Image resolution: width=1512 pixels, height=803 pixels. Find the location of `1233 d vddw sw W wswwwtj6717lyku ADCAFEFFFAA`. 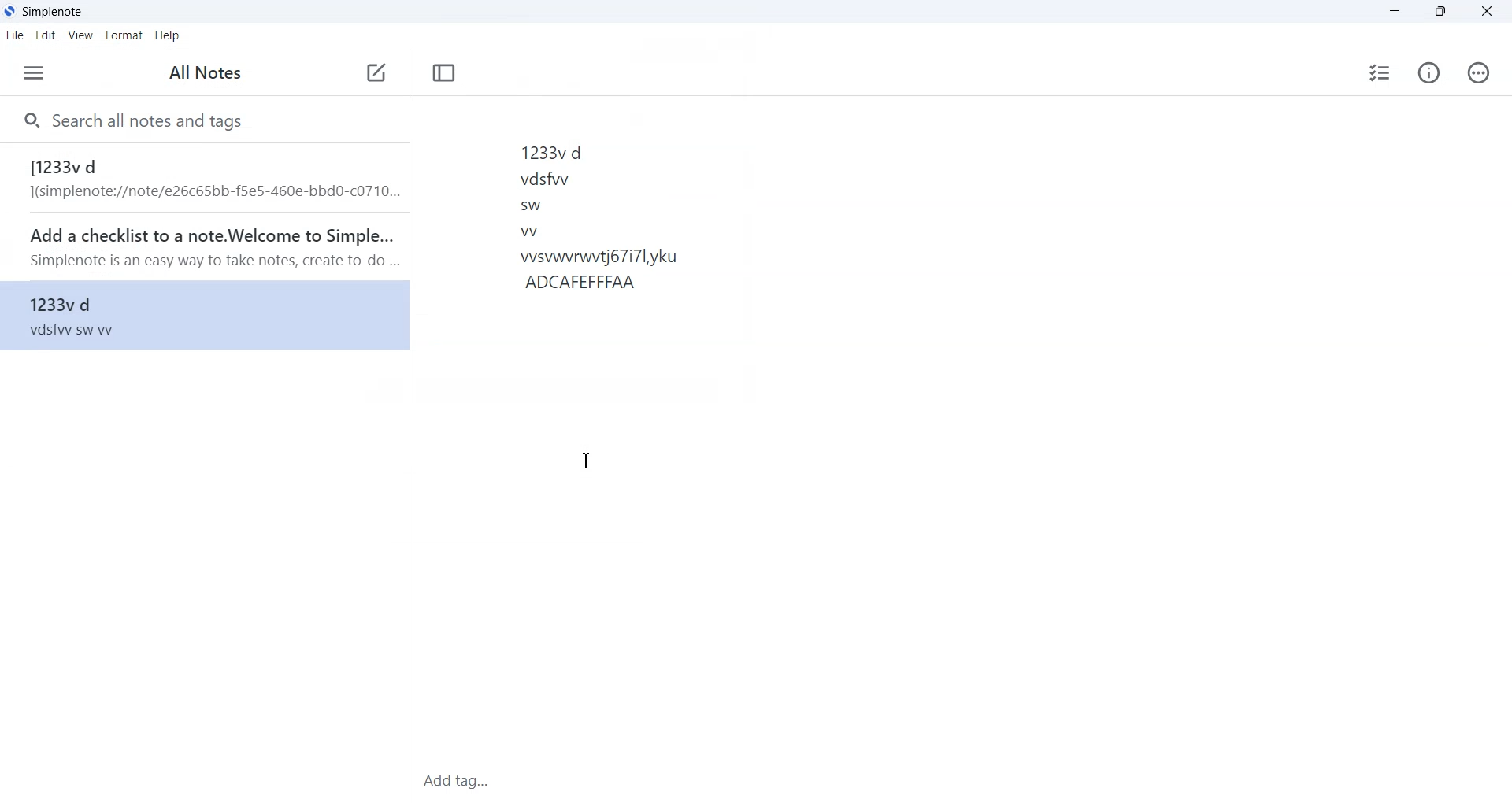

1233 d vddw sw W wswwwtj6717lyku ADCAFEFFFAA is located at coordinates (935, 320).